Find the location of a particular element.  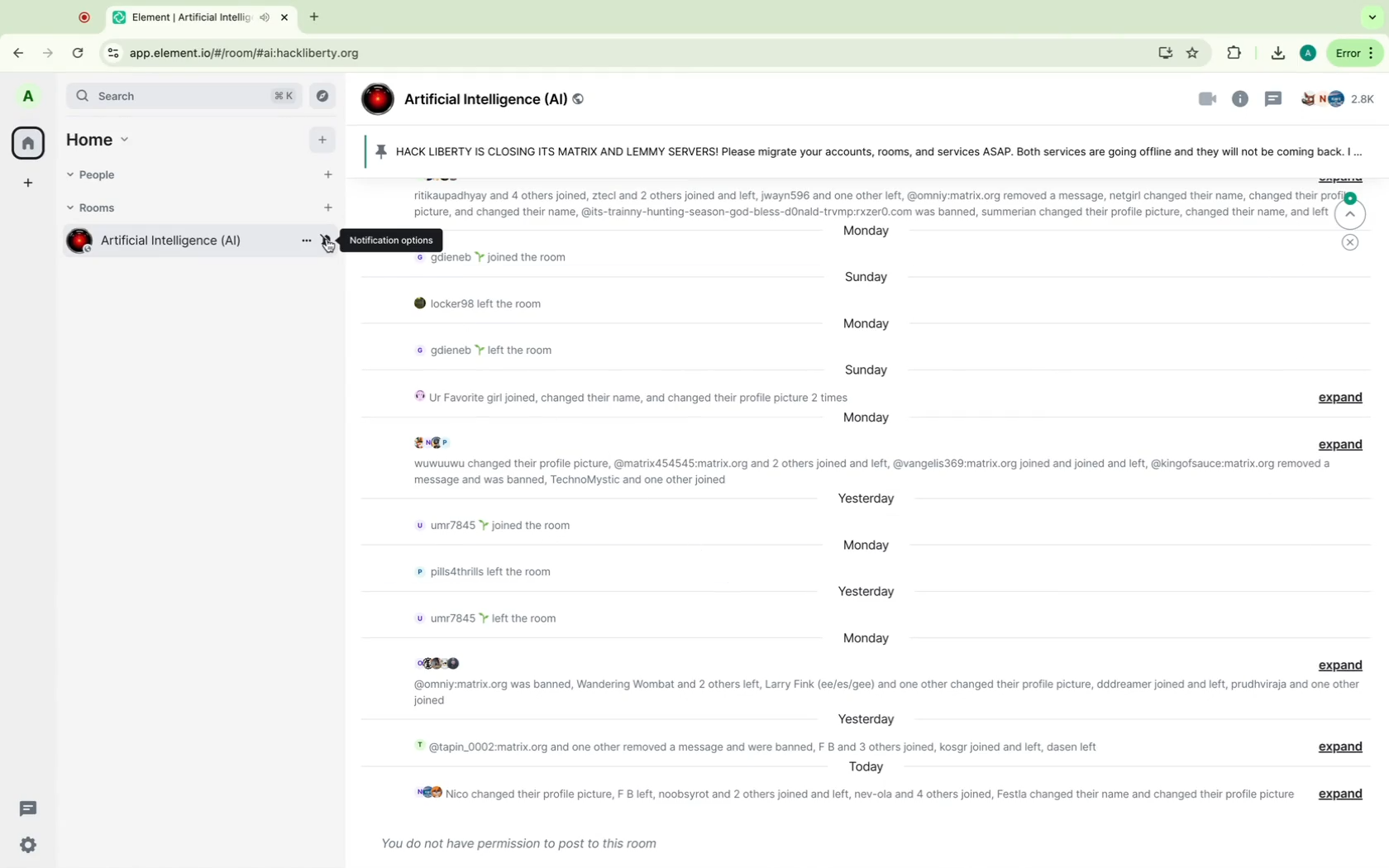

message is located at coordinates (867, 472).